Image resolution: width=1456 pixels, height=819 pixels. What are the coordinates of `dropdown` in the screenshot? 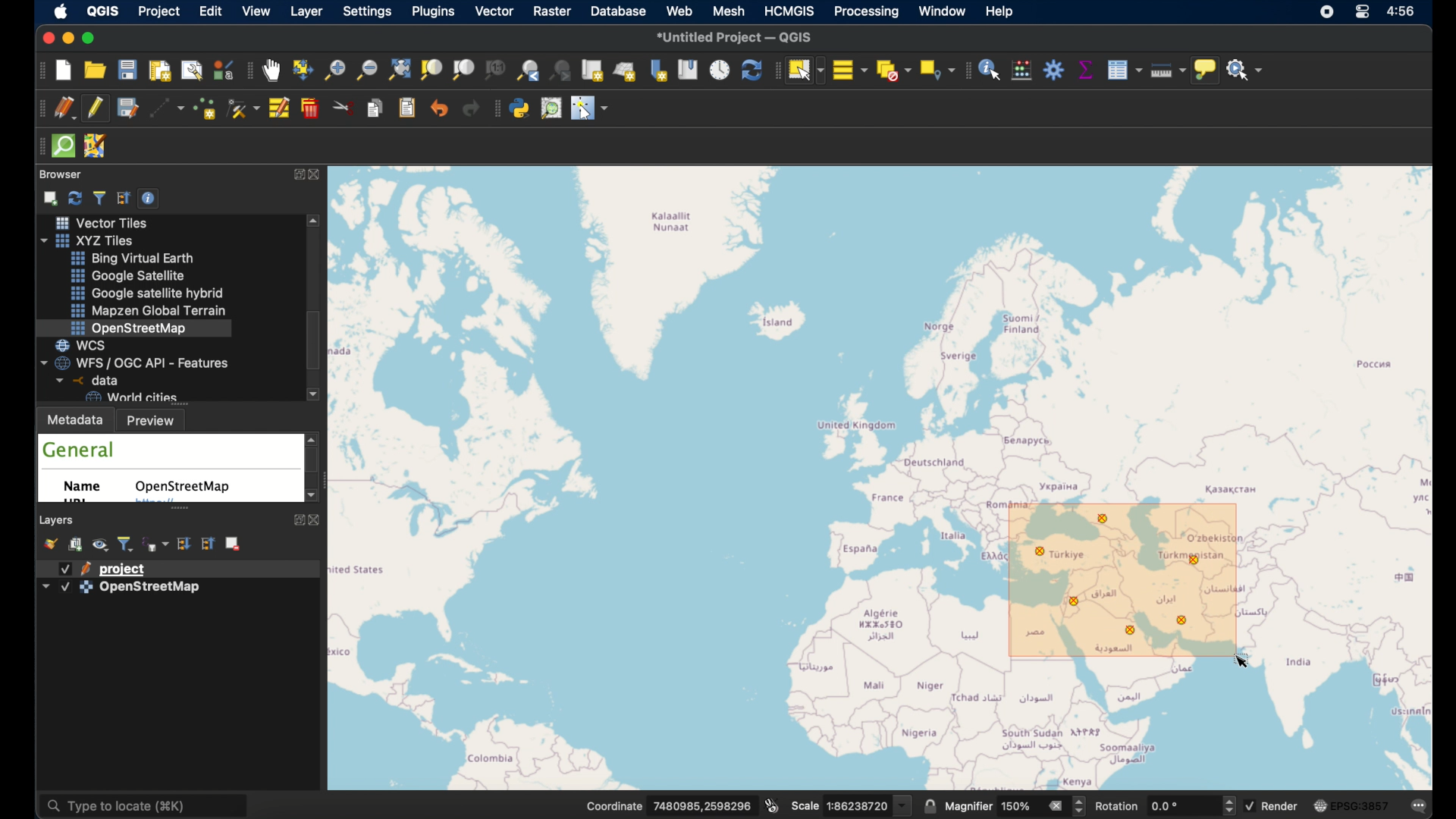 It's located at (903, 805).